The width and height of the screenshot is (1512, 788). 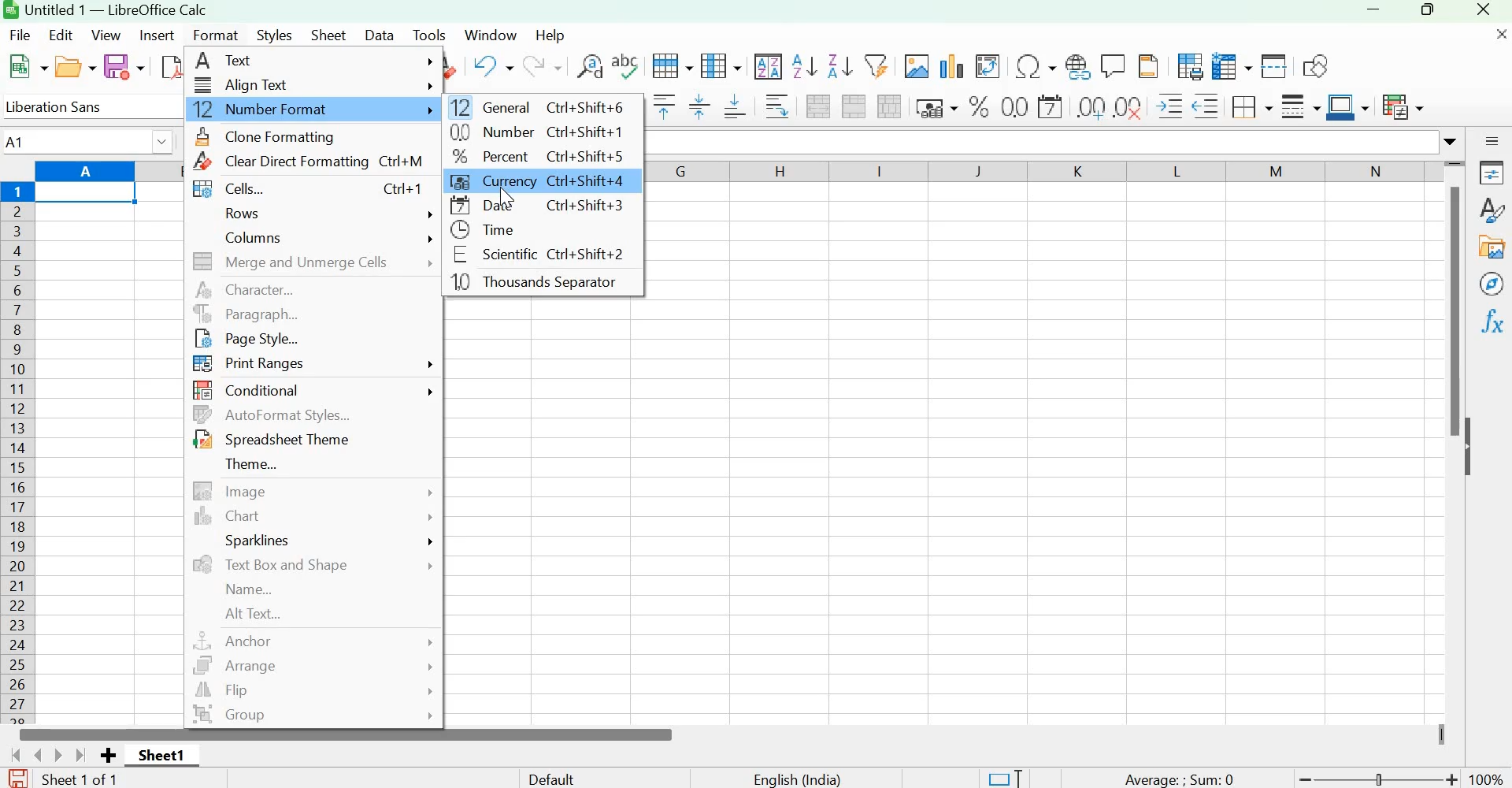 What do you see at coordinates (1114, 64) in the screenshot?
I see `Insert comment` at bounding box center [1114, 64].